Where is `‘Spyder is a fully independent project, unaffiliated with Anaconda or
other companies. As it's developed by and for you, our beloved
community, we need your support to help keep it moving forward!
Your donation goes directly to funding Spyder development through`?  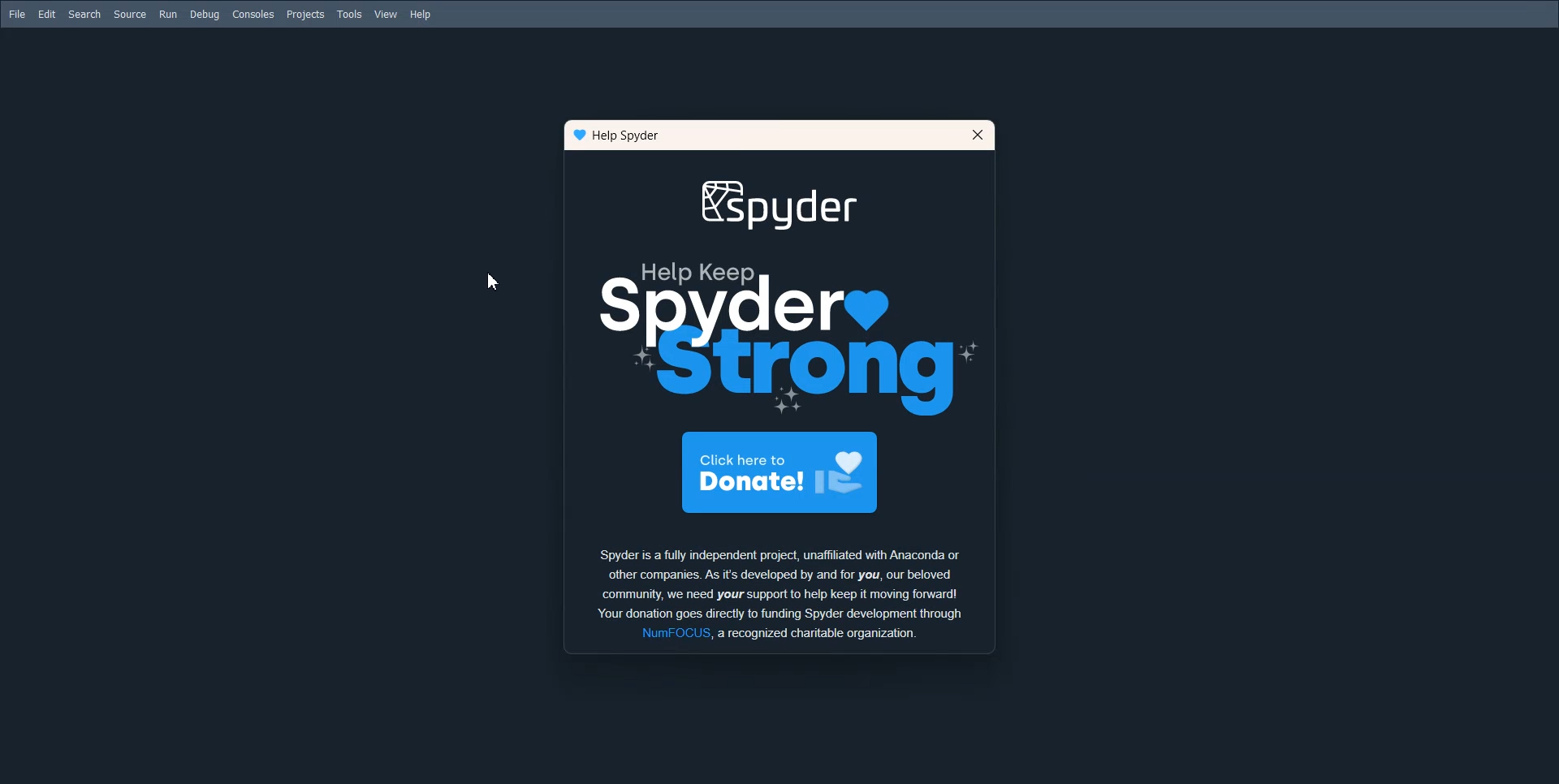
‘Spyder is a fully independent project, unaffiliated with Anaconda or
other companies. As it's developed by and for you, our beloved
community, we need your support to help keep it moving forward!
Your donation goes directly to funding Spyder development through is located at coordinates (788, 582).